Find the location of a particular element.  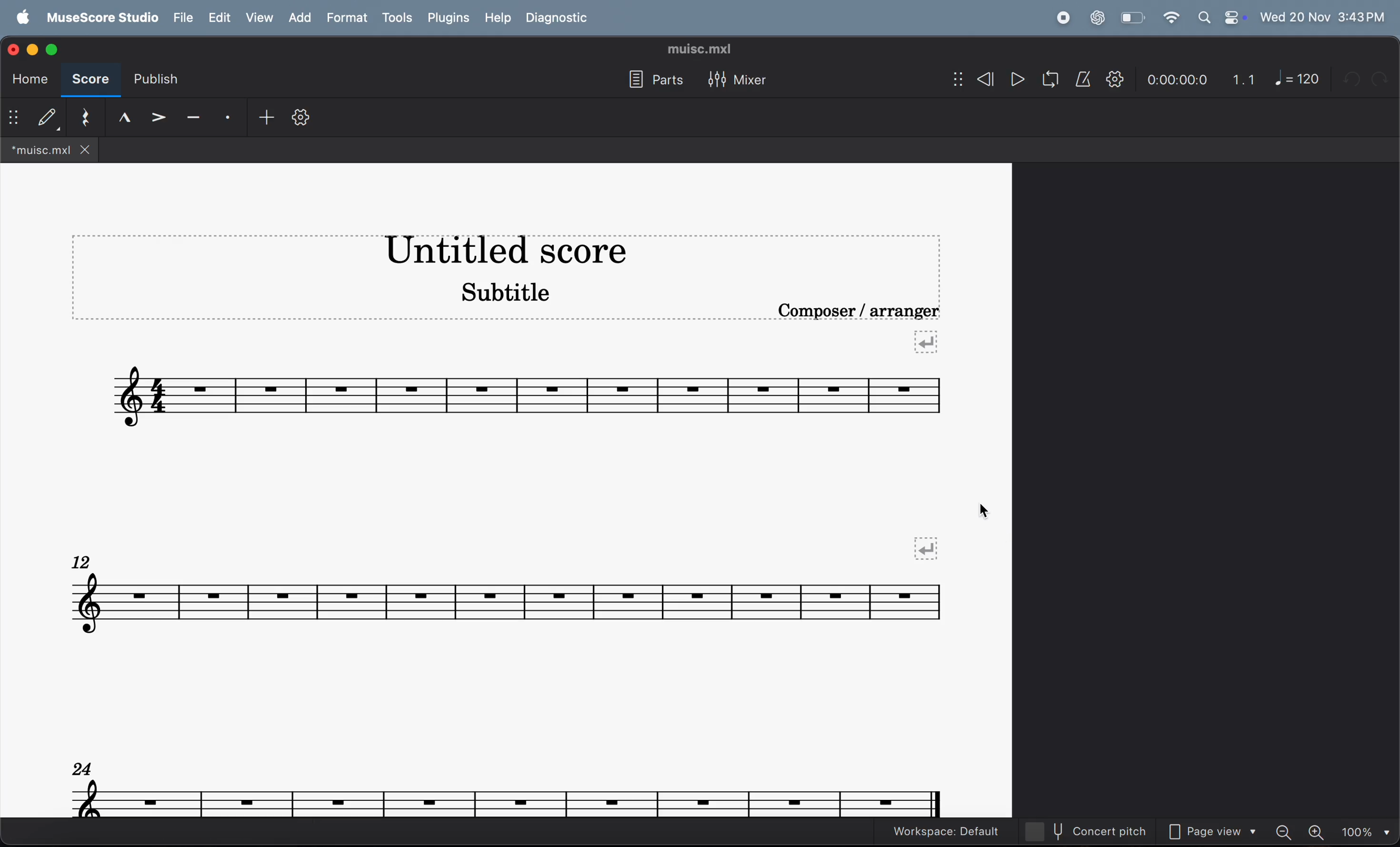

plugins is located at coordinates (450, 19).